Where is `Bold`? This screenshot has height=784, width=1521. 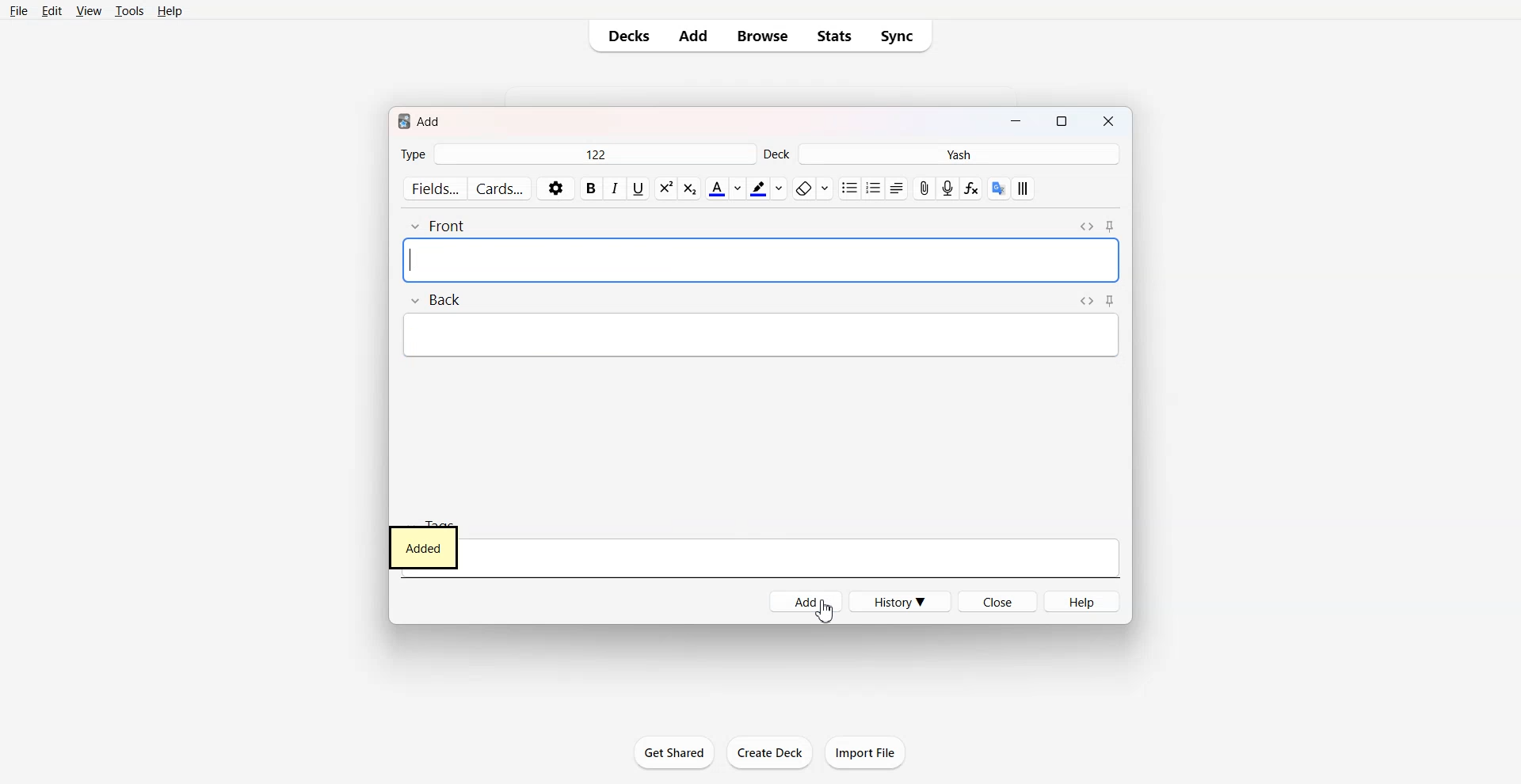 Bold is located at coordinates (591, 188).